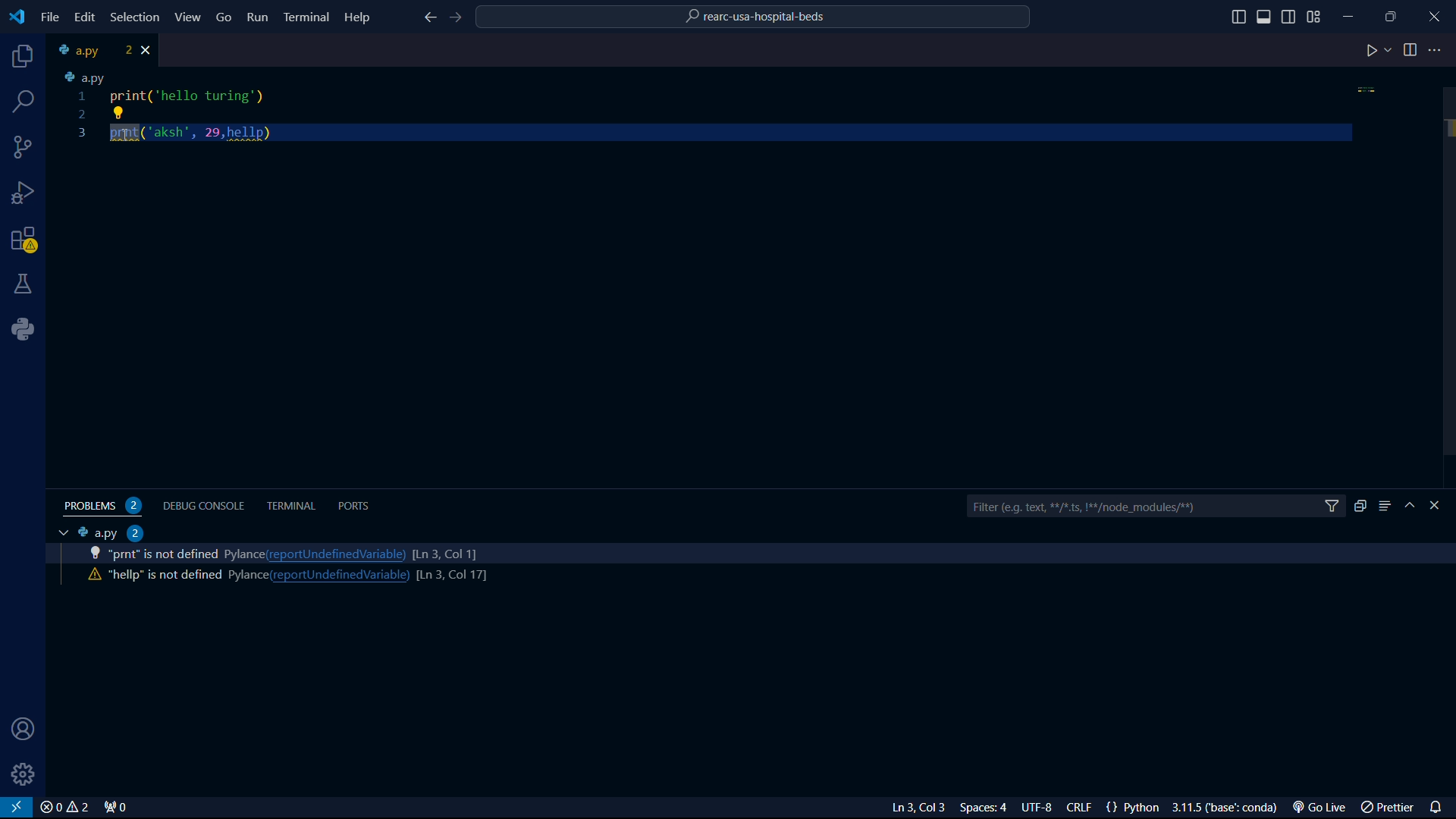 This screenshot has height=819, width=1456. Describe the element at coordinates (987, 808) in the screenshot. I see `Spaces: 4` at that location.